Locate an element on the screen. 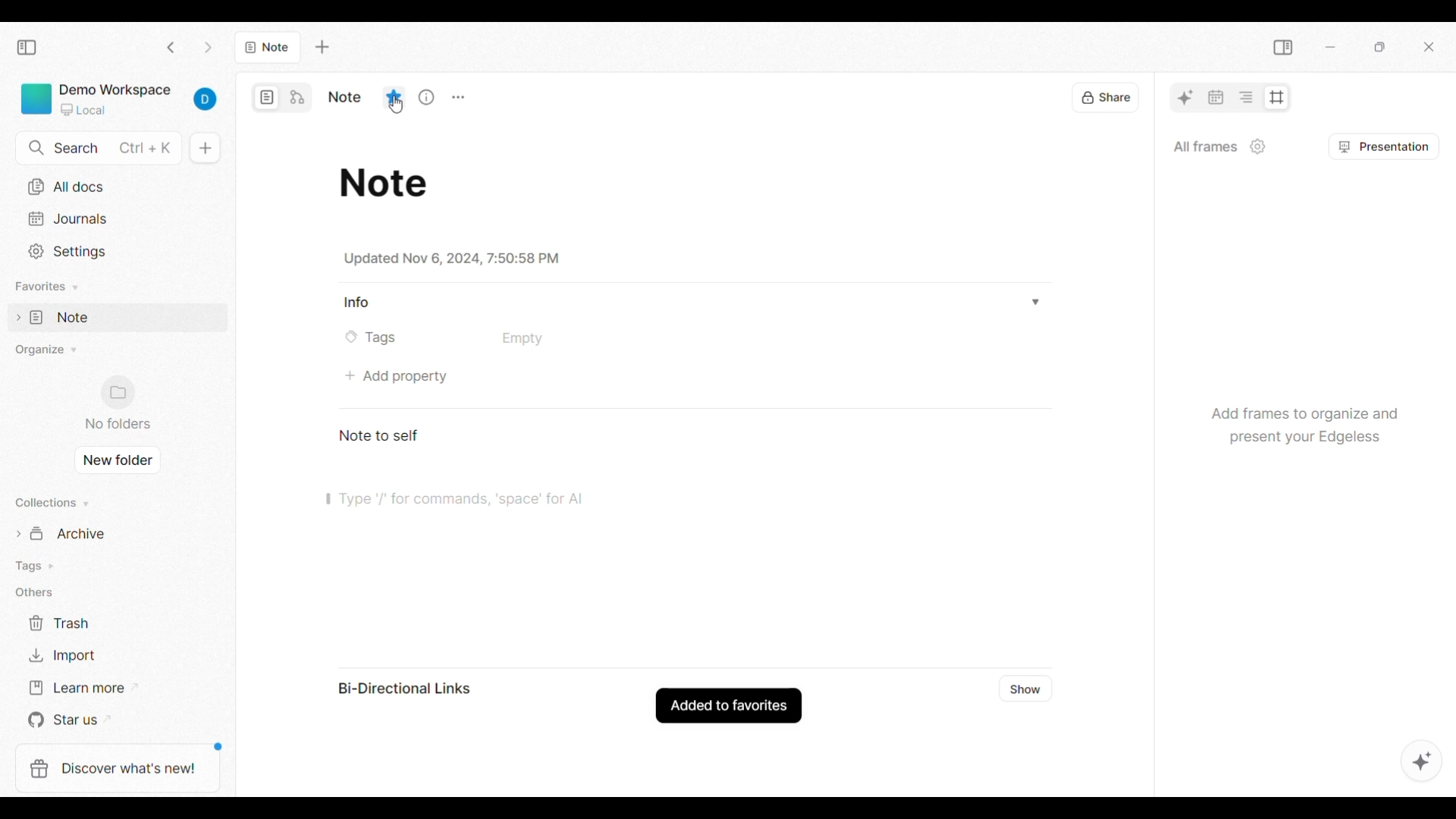  Info is located at coordinates (359, 303).